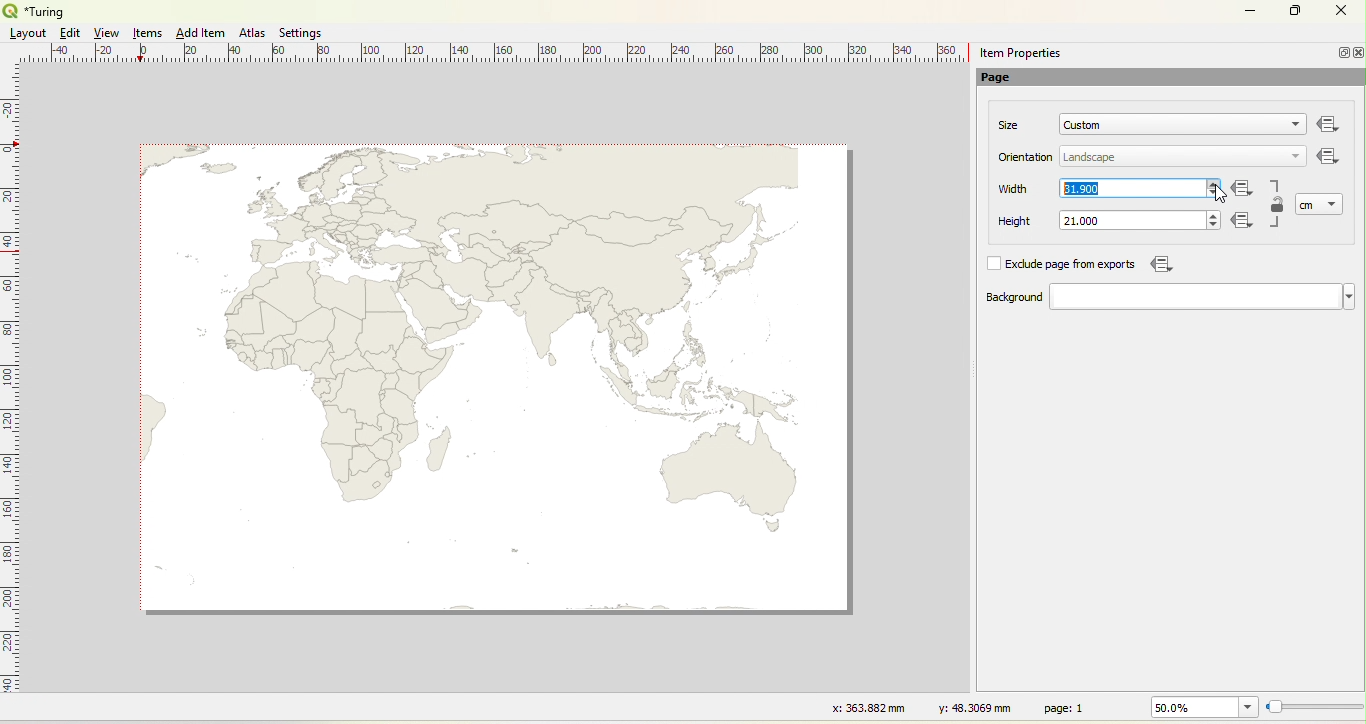 The width and height of the screenshot is (1366, 724). I want to click on Icon, so click(1329, 158).